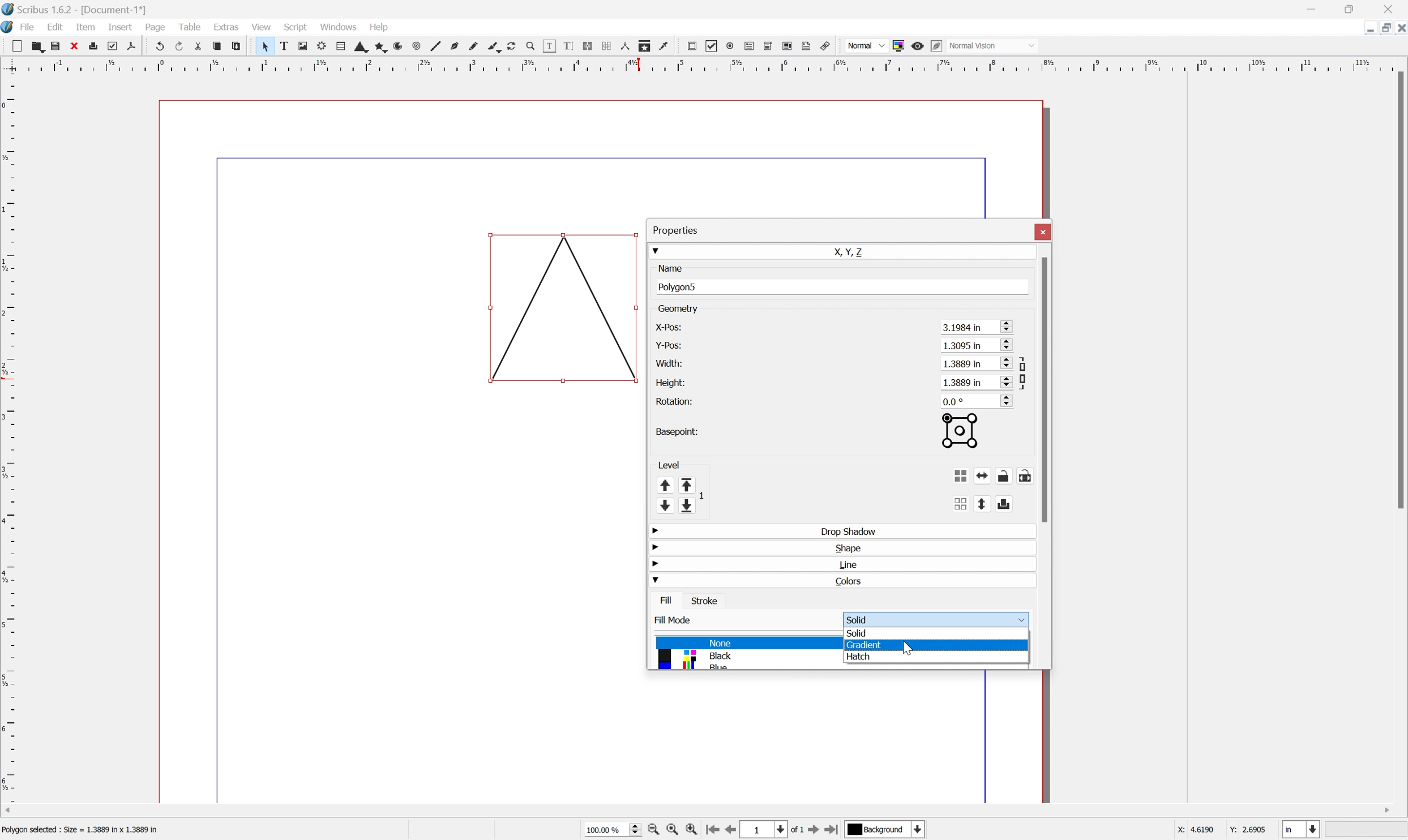  I want to click on Normal, so click(867, 45).